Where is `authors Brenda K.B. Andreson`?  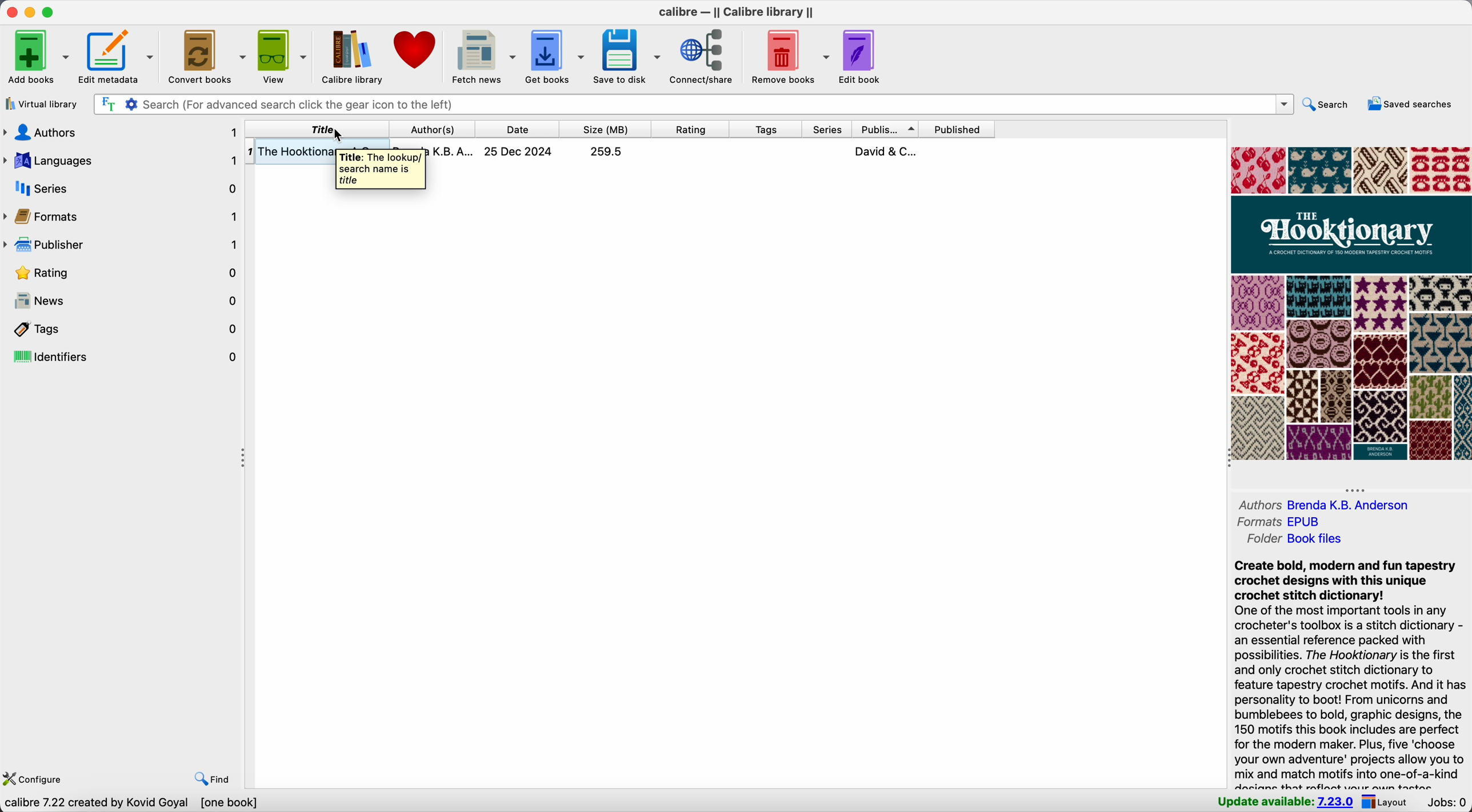 authors Brenda K.B. Andreson is located at coordinates (1324, 504).